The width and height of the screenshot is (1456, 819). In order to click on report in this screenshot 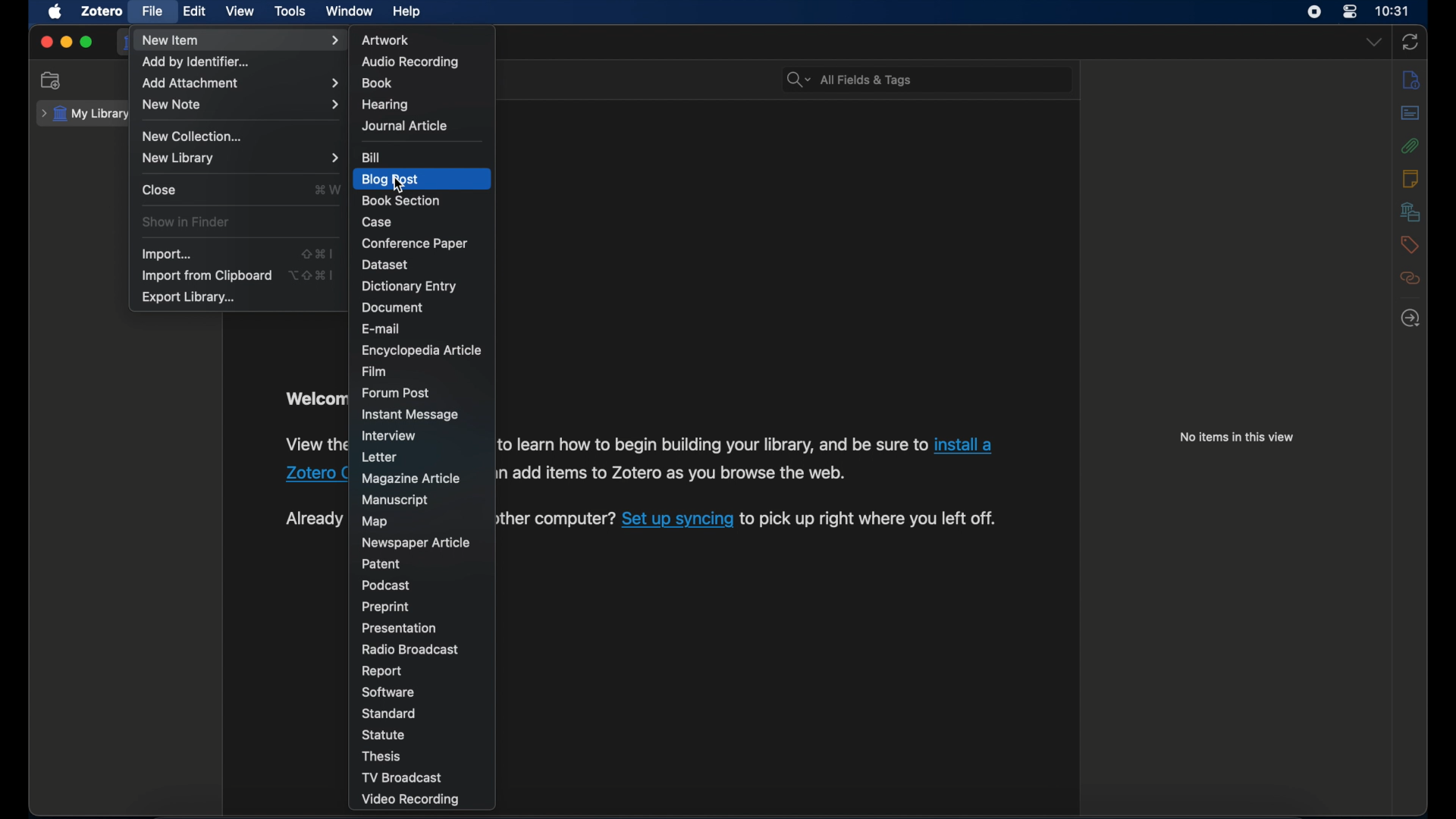, I will do `click(381, 671)`.